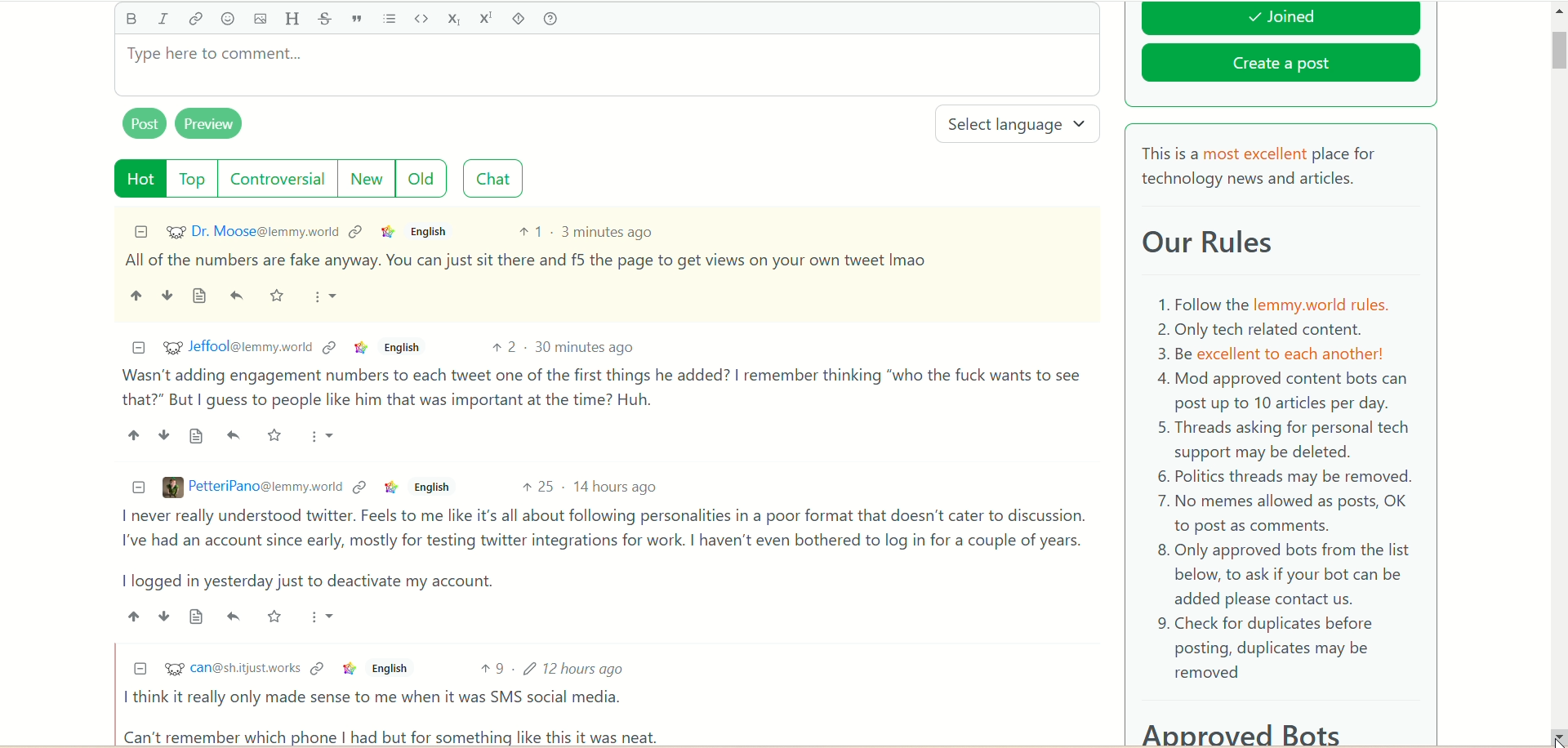 The image size is (1568, 748). What do you see at coordinates (360, 488) in the screenshot?
I see `Link` at bounding box center [360, 488].